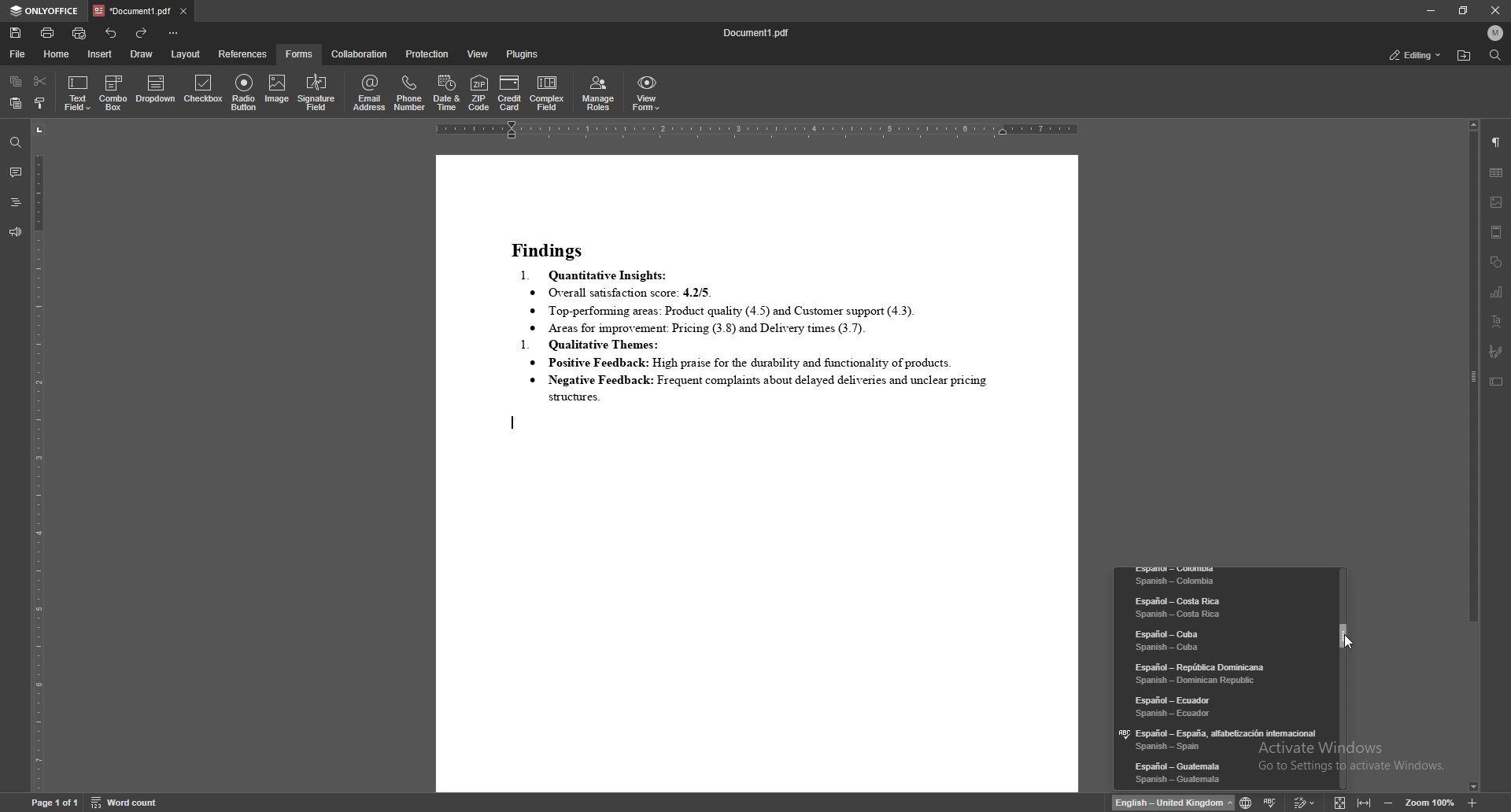 Image resolution: width=1511 pixels, height=812 pixels. Describe the element at coordinates (1223, 578) in the screenshot. I see `language` at that location.